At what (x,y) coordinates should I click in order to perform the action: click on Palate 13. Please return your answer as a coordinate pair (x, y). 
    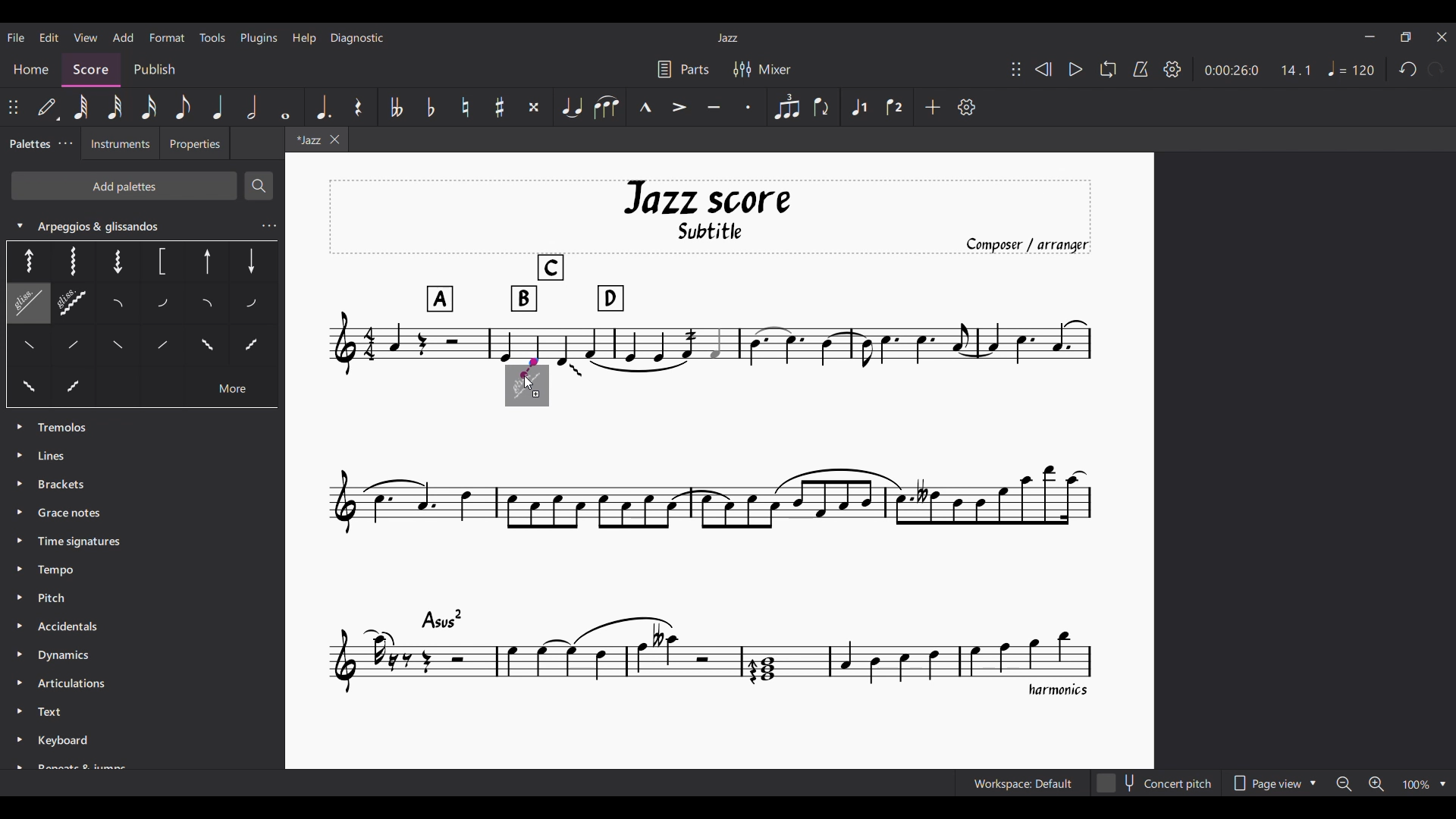
    Looking at the image, I should click on (122, 350).